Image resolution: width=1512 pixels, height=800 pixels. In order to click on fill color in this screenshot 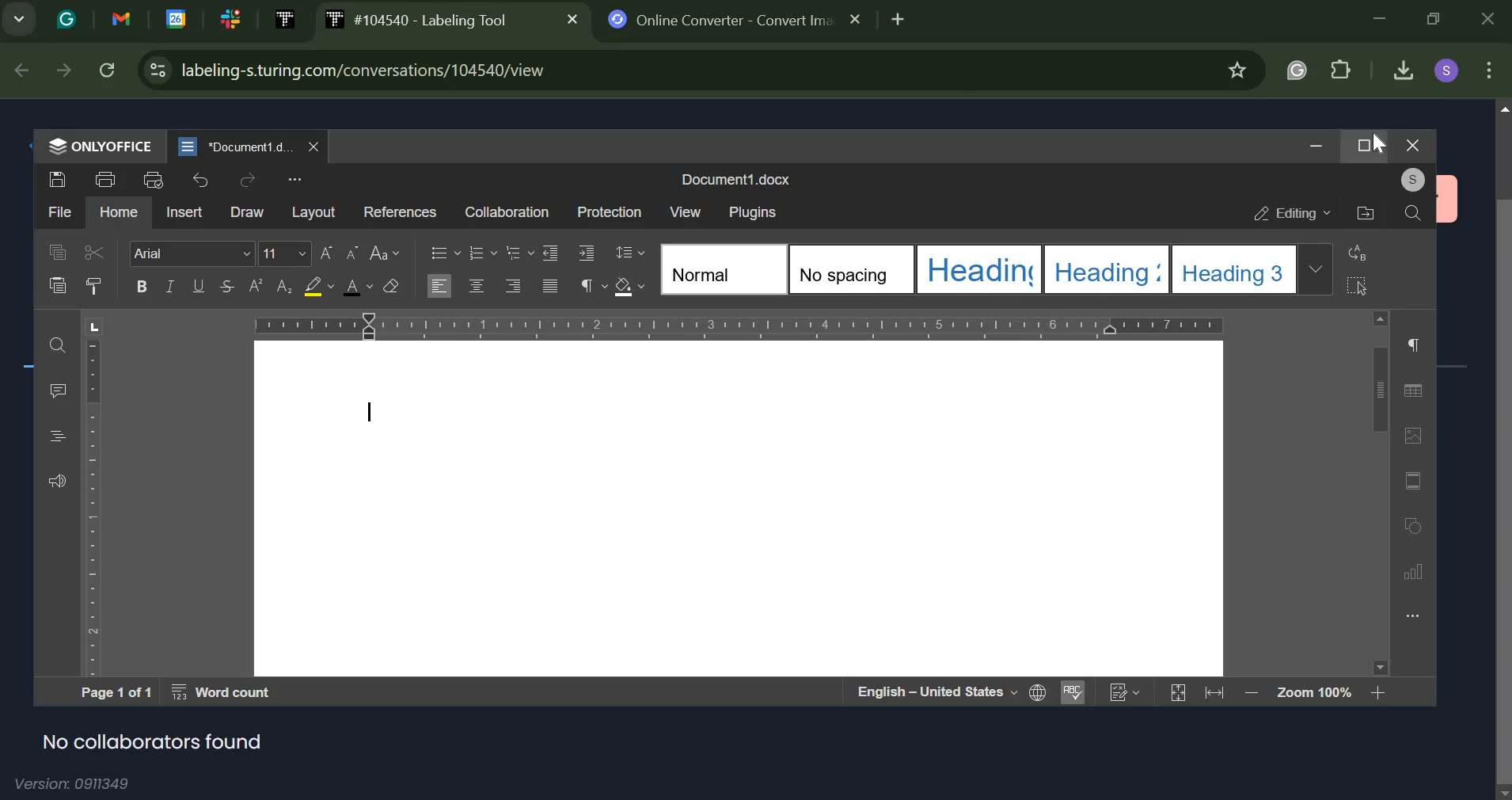, I will do `click(318, 286)`.